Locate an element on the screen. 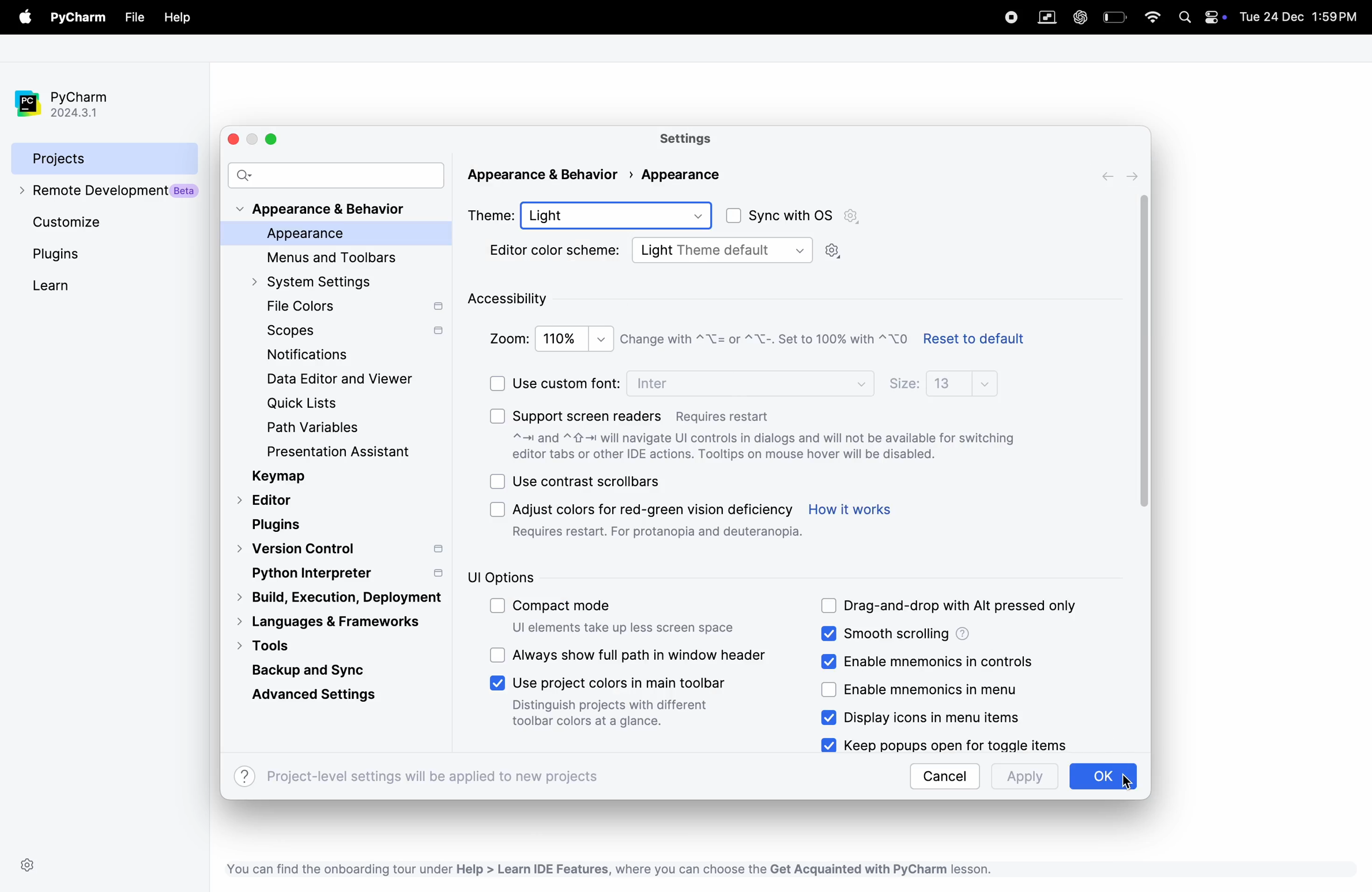 This screenshot has height=892, width=1372. settings is located at coordinates (702, 139).